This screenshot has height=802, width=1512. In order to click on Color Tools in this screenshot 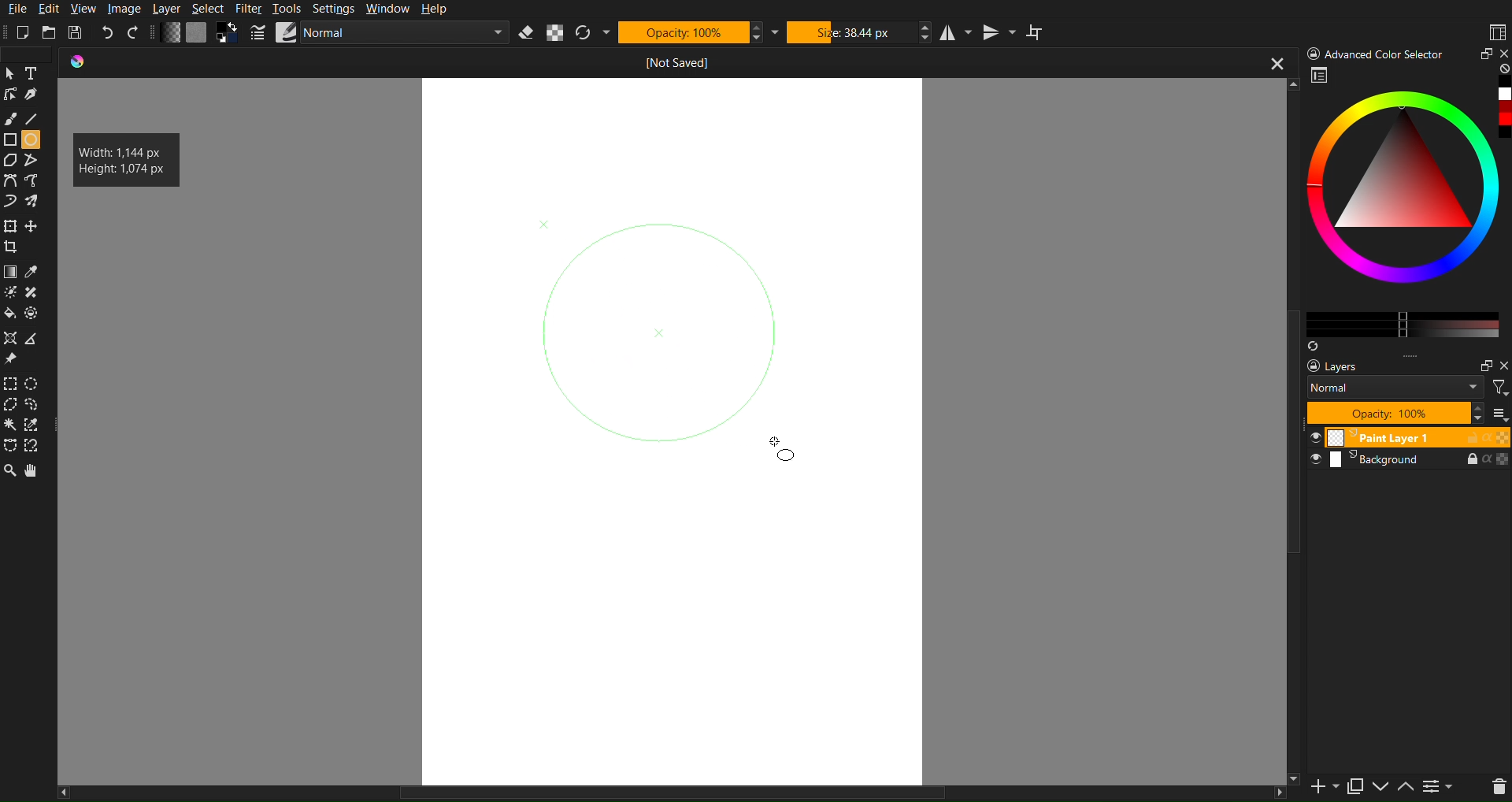, I will do `click(10, 270)`.